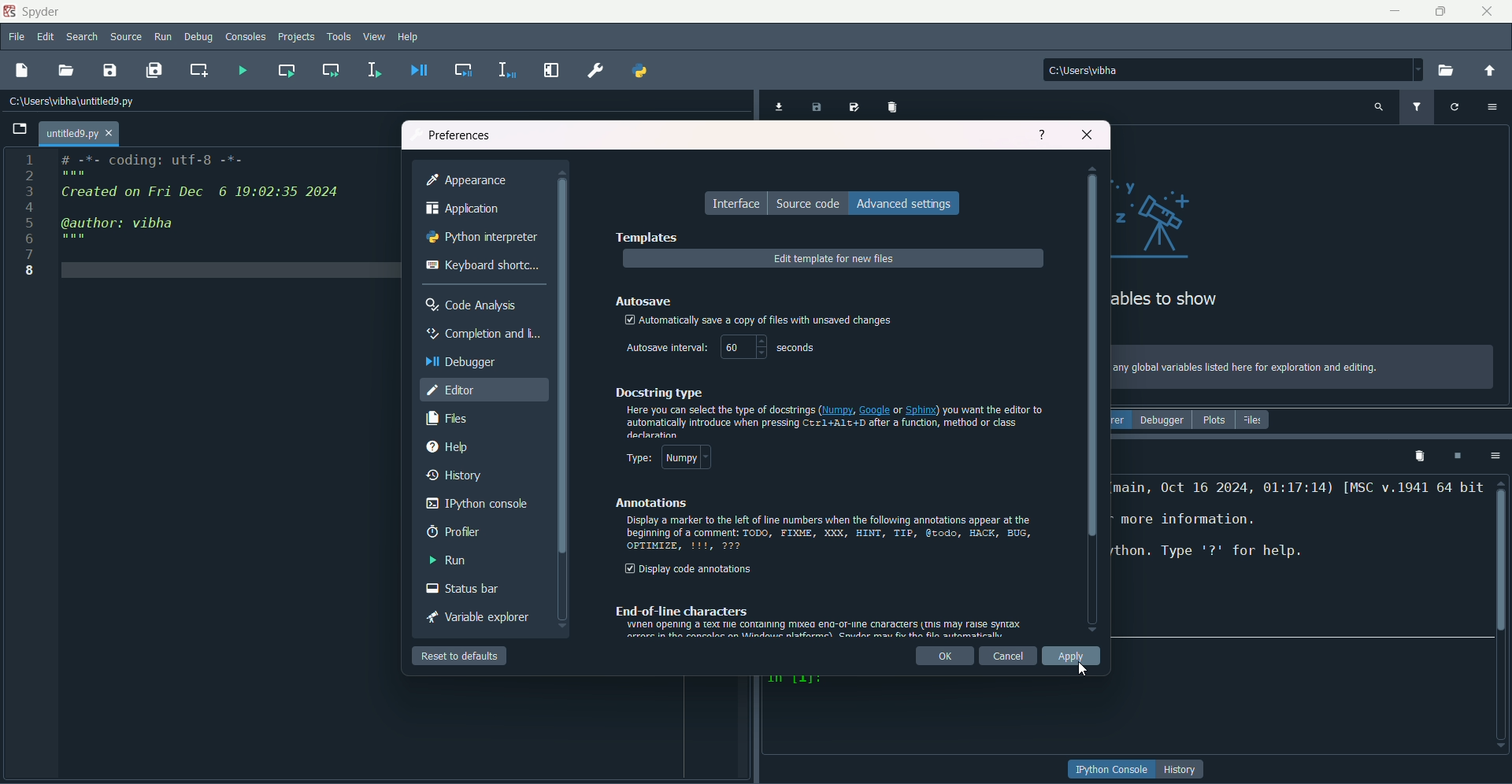  What do you see at coordinates (33, 11) in the screenshot?
I see `name & logo` at bounding box center [33, 11].